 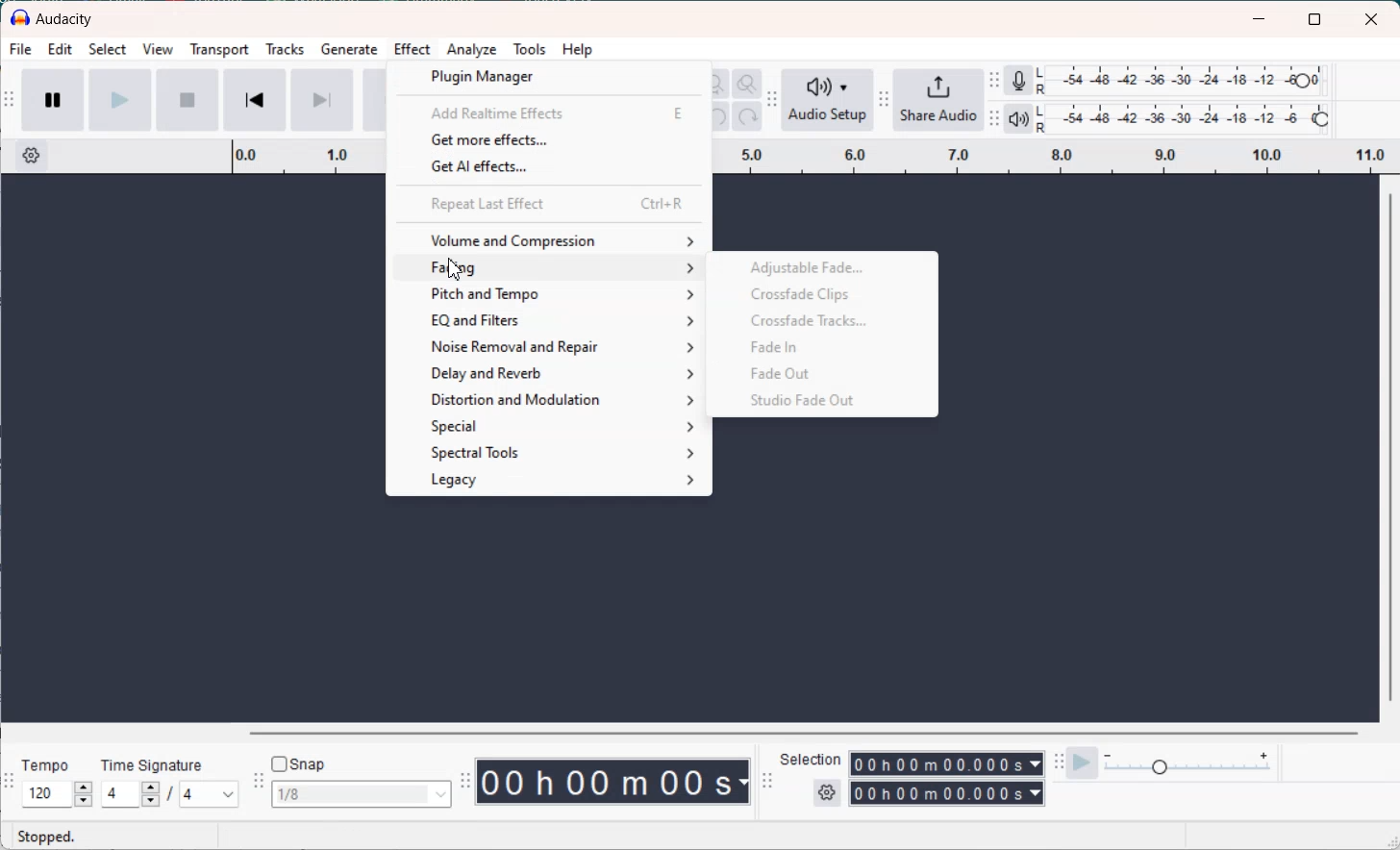 I want to click on Horizontal Scroll bar, so click(x=681, y=731).